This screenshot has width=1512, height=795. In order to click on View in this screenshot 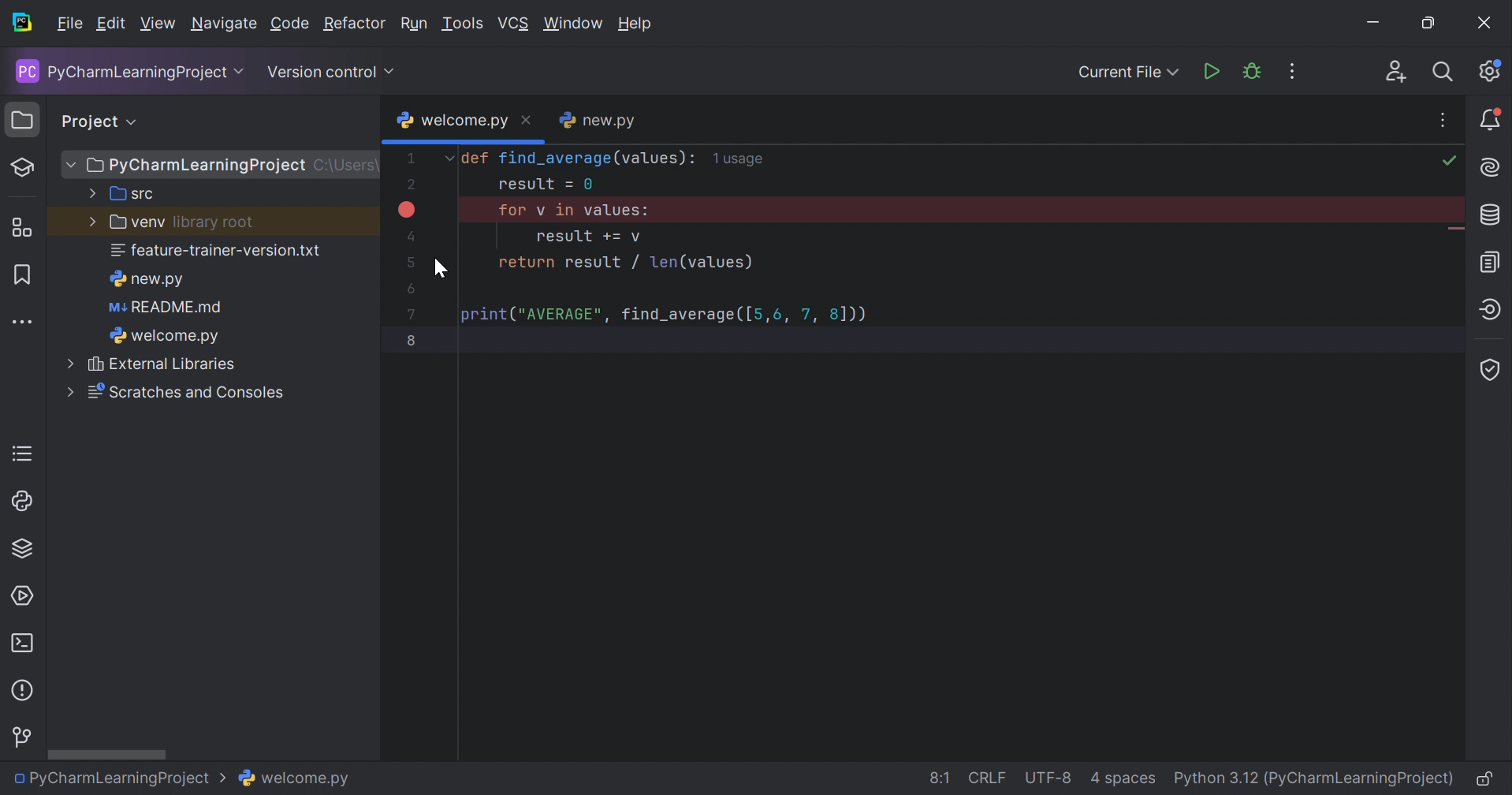, I will do `click(156, 24)`.